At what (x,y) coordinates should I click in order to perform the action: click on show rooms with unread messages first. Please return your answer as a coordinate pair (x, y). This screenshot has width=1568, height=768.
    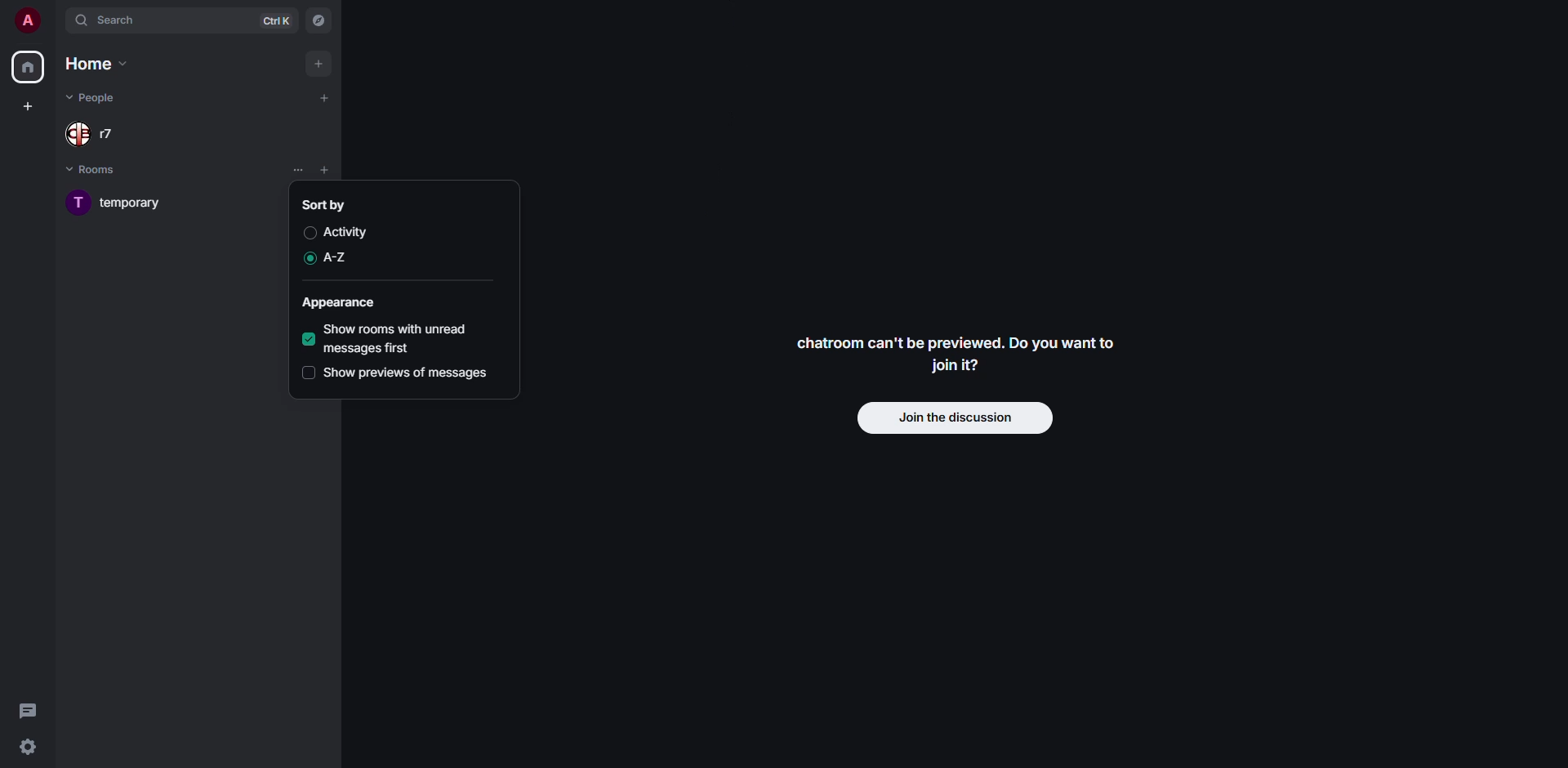
    Looking at the image, I should click on (412, 338).